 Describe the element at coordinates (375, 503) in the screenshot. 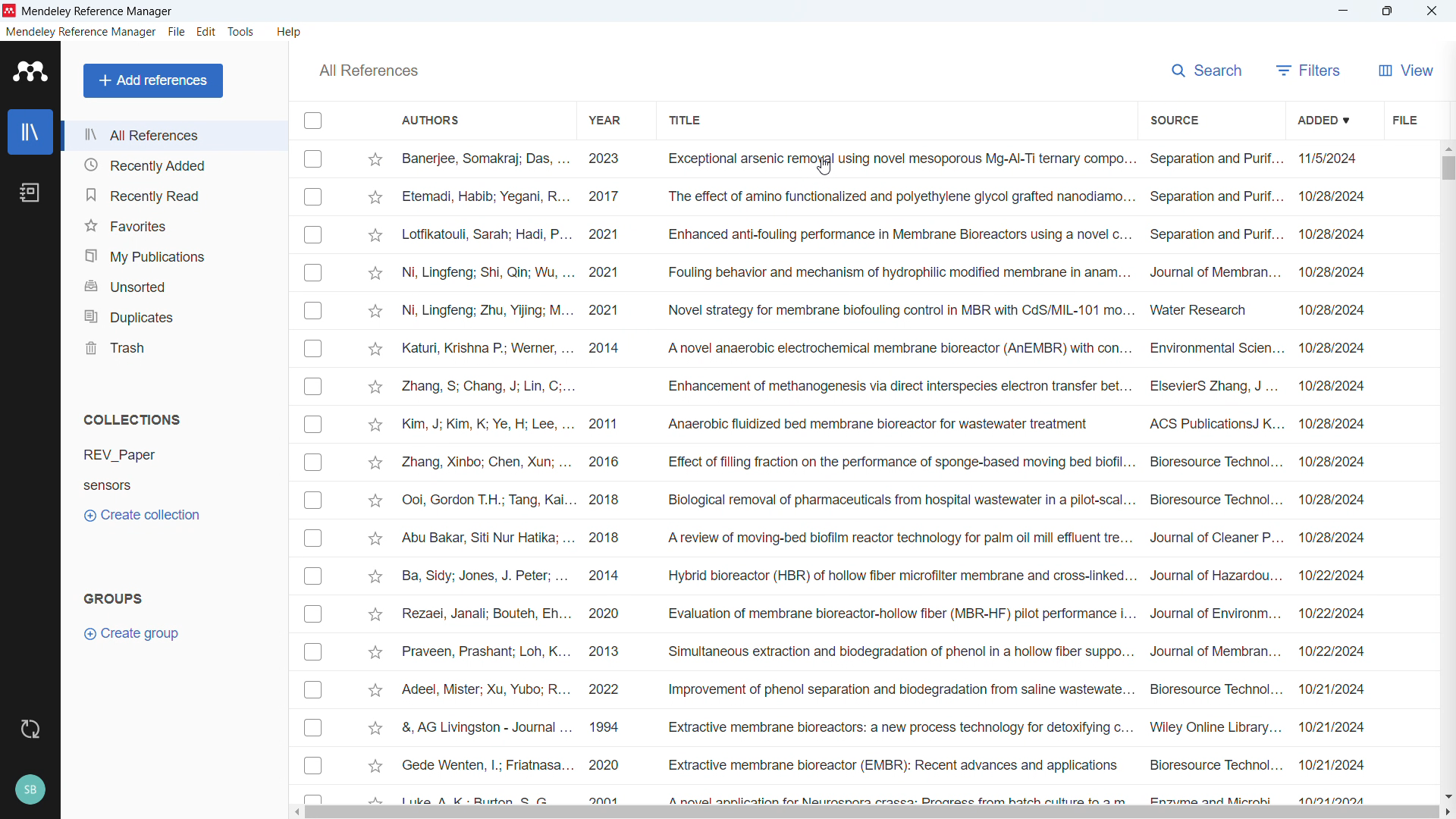

I see `click to starmark individual entries` at that location.